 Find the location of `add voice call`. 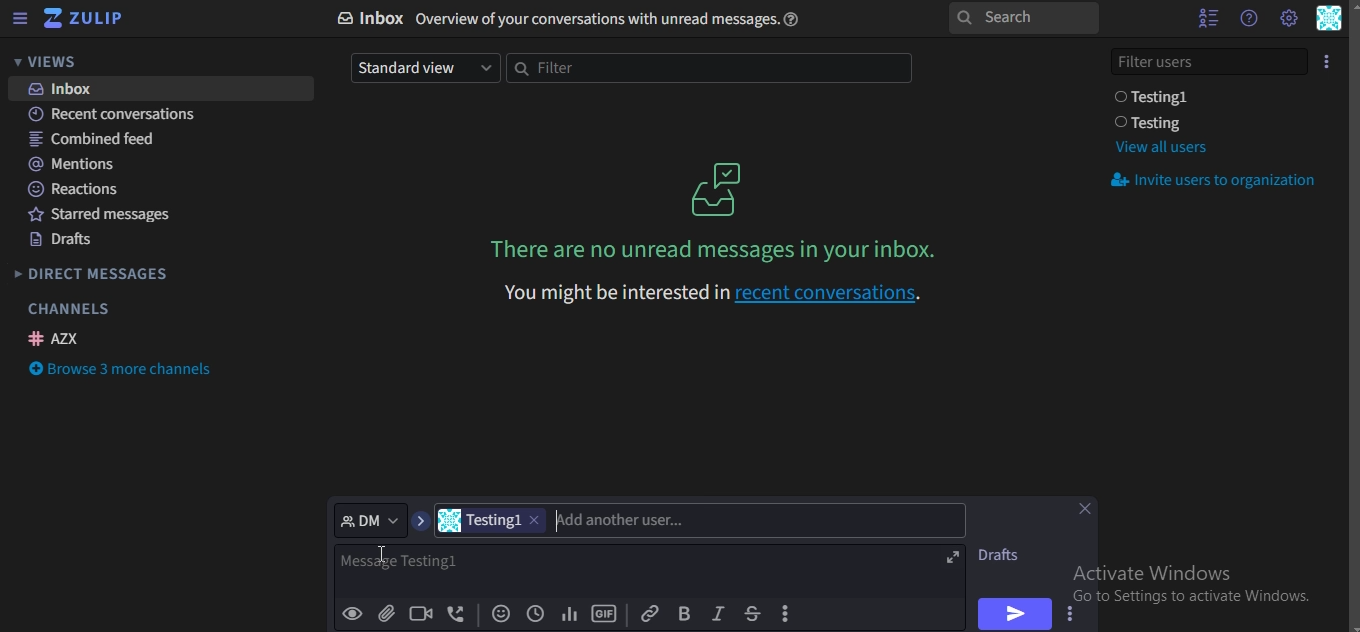

add voice call is located at coordinates (457, 615).